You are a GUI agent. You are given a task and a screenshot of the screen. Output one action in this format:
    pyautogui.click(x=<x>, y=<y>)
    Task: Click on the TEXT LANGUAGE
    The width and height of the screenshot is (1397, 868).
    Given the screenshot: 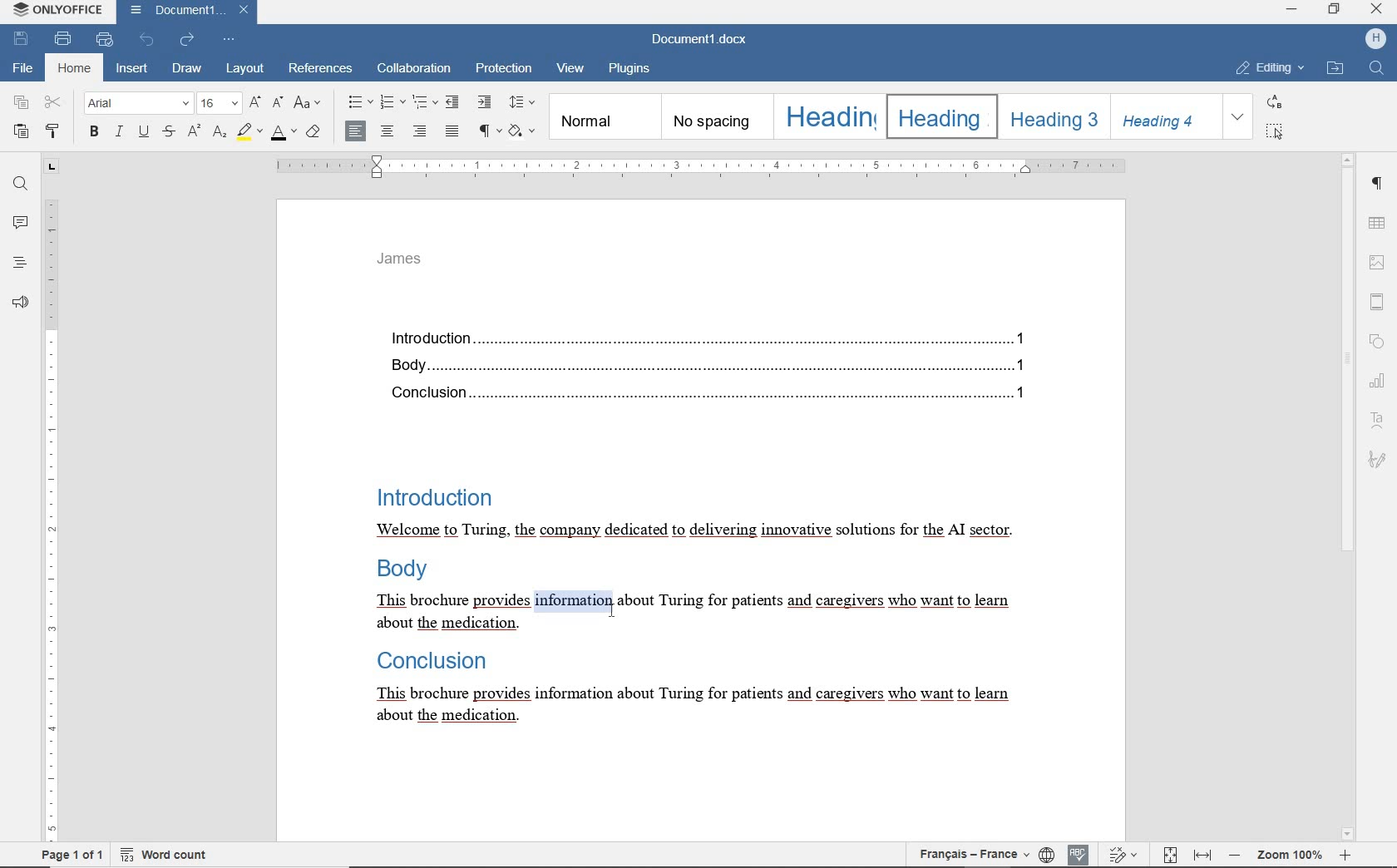 What is the action you would take?
    pyautogui.click(x=971, y=857)
    